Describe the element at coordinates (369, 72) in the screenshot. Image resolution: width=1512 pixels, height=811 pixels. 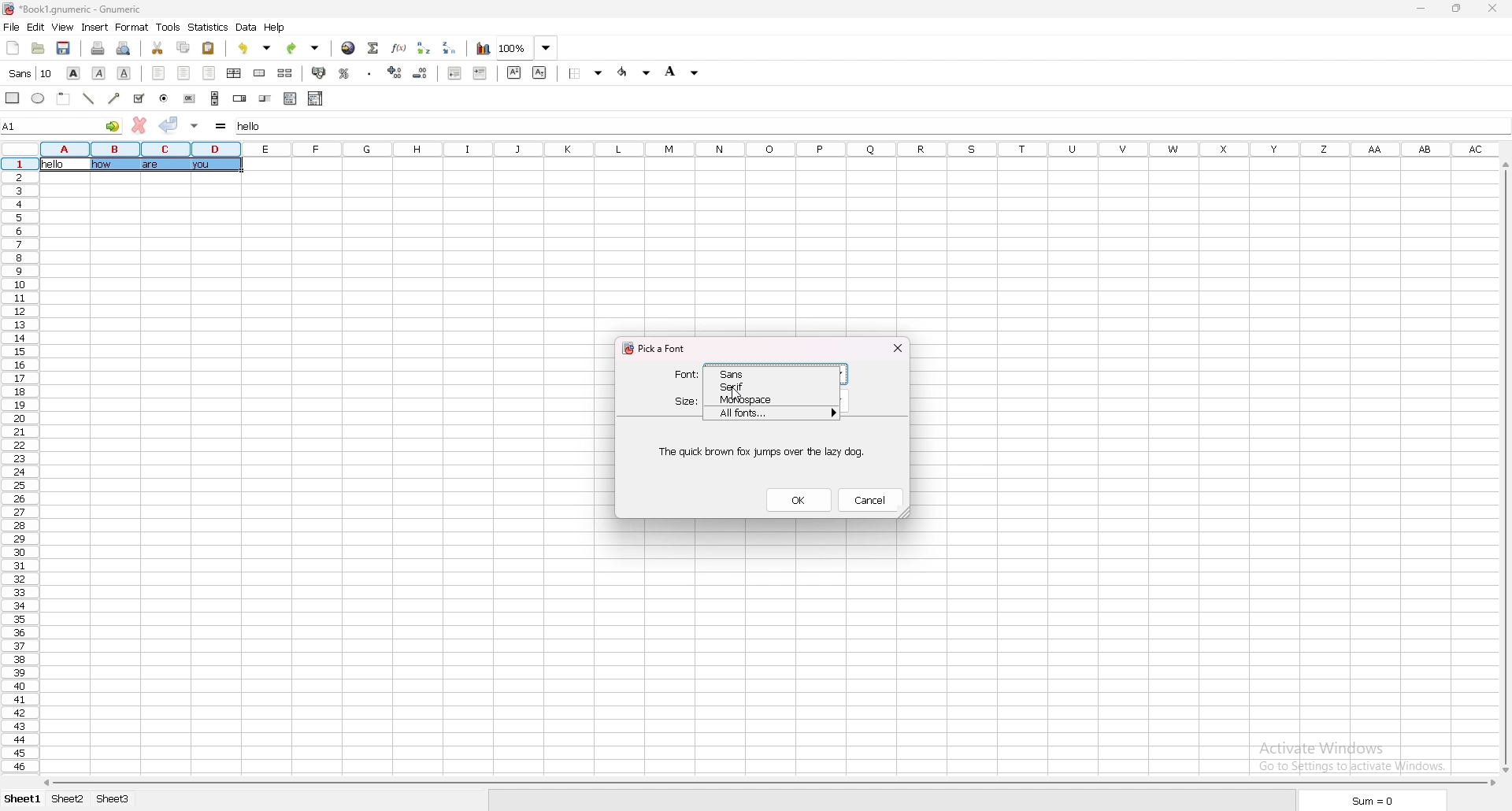
I see `thousand separator` at that location.